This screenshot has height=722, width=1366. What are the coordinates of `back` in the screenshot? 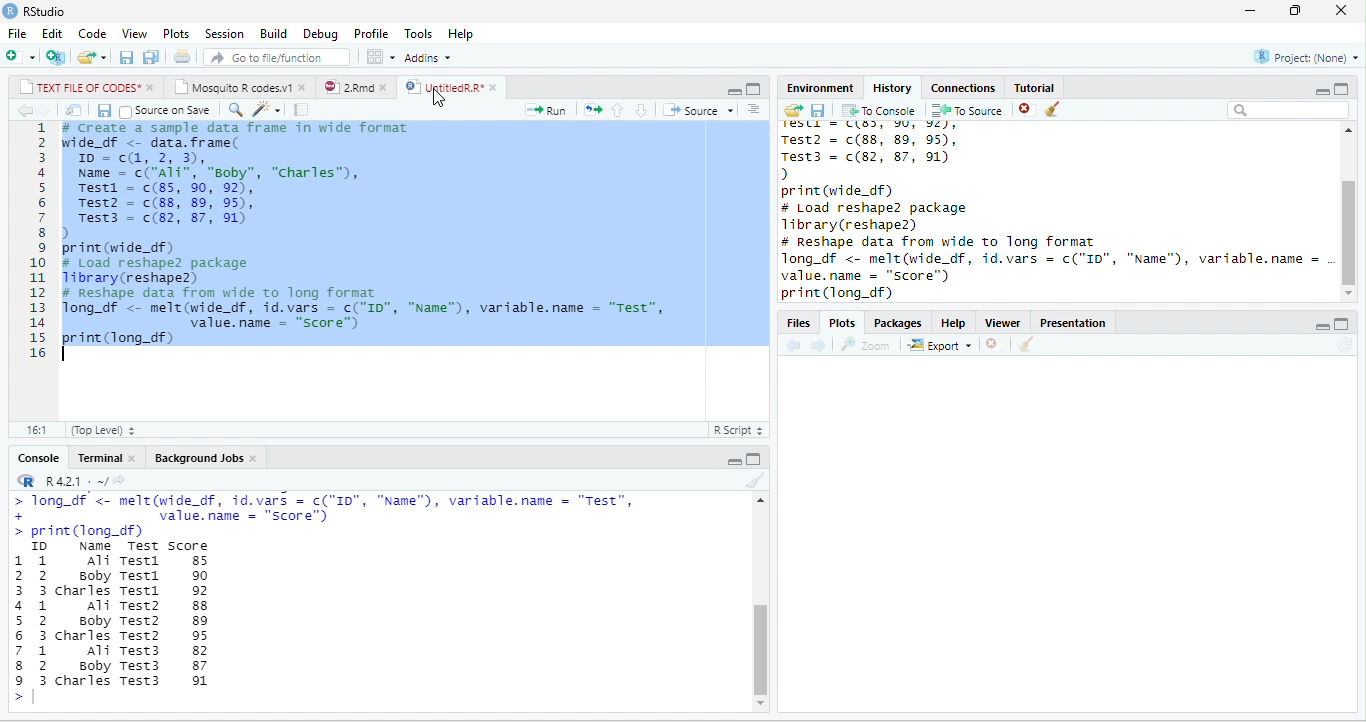 It's located at (23, 110).